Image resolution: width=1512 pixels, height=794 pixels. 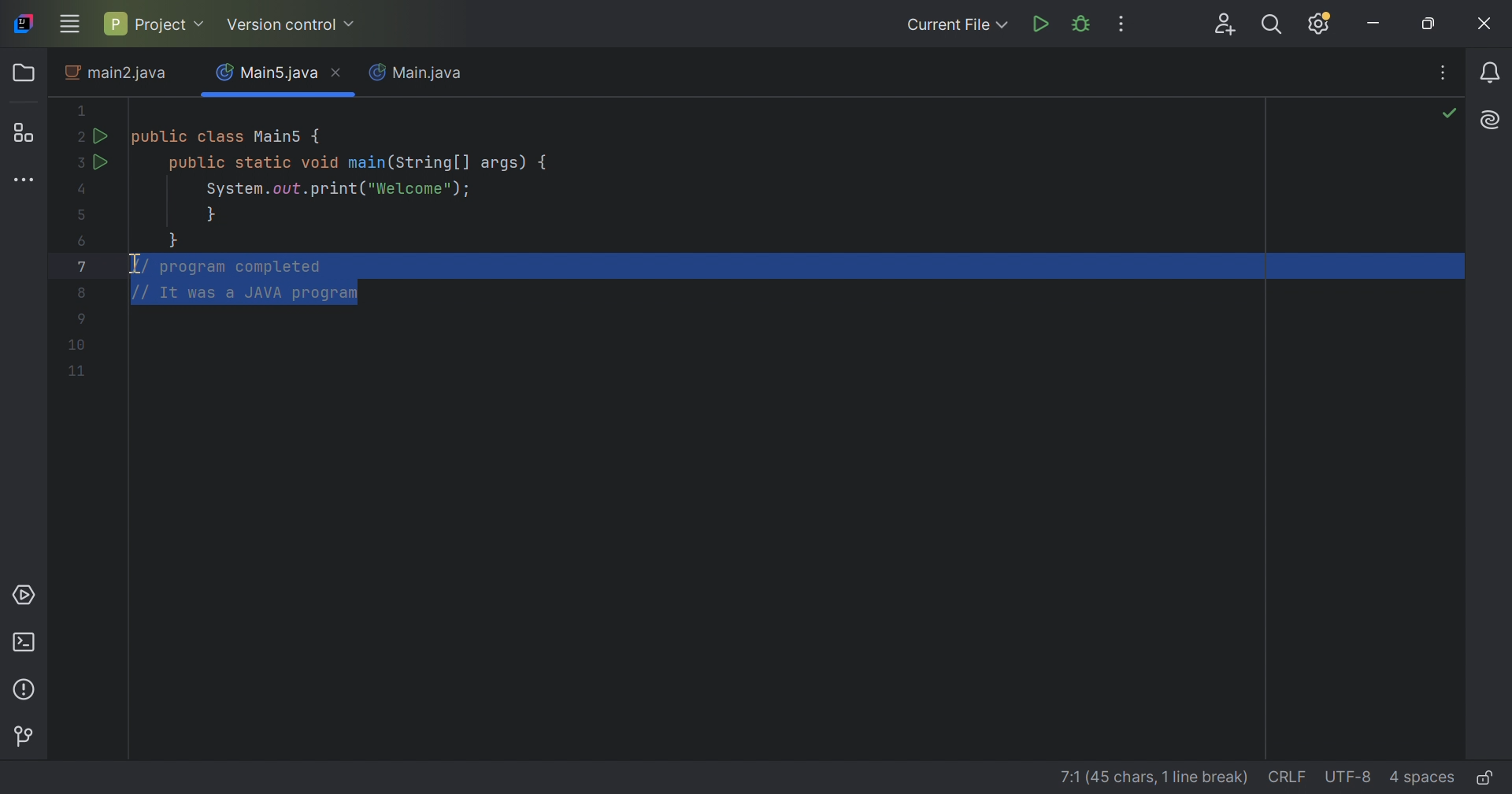 What do you see at coordinates (1492, 121) in the screenshot?
I see `AI Assistant` at bounding box center [1492, 121].